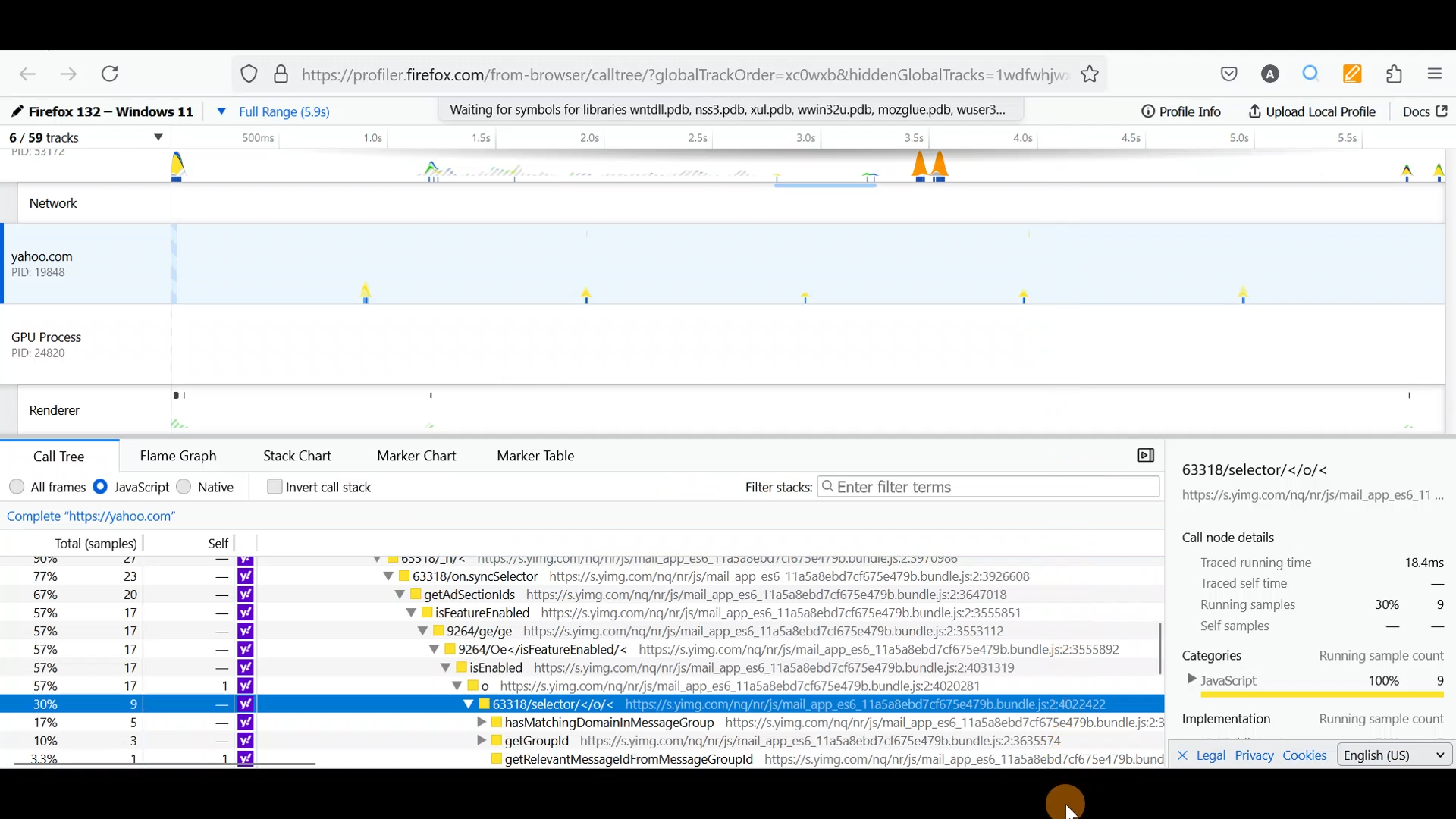 The width and height of the screenshot is (1456, 819). I want to click on , so click(70, 407).